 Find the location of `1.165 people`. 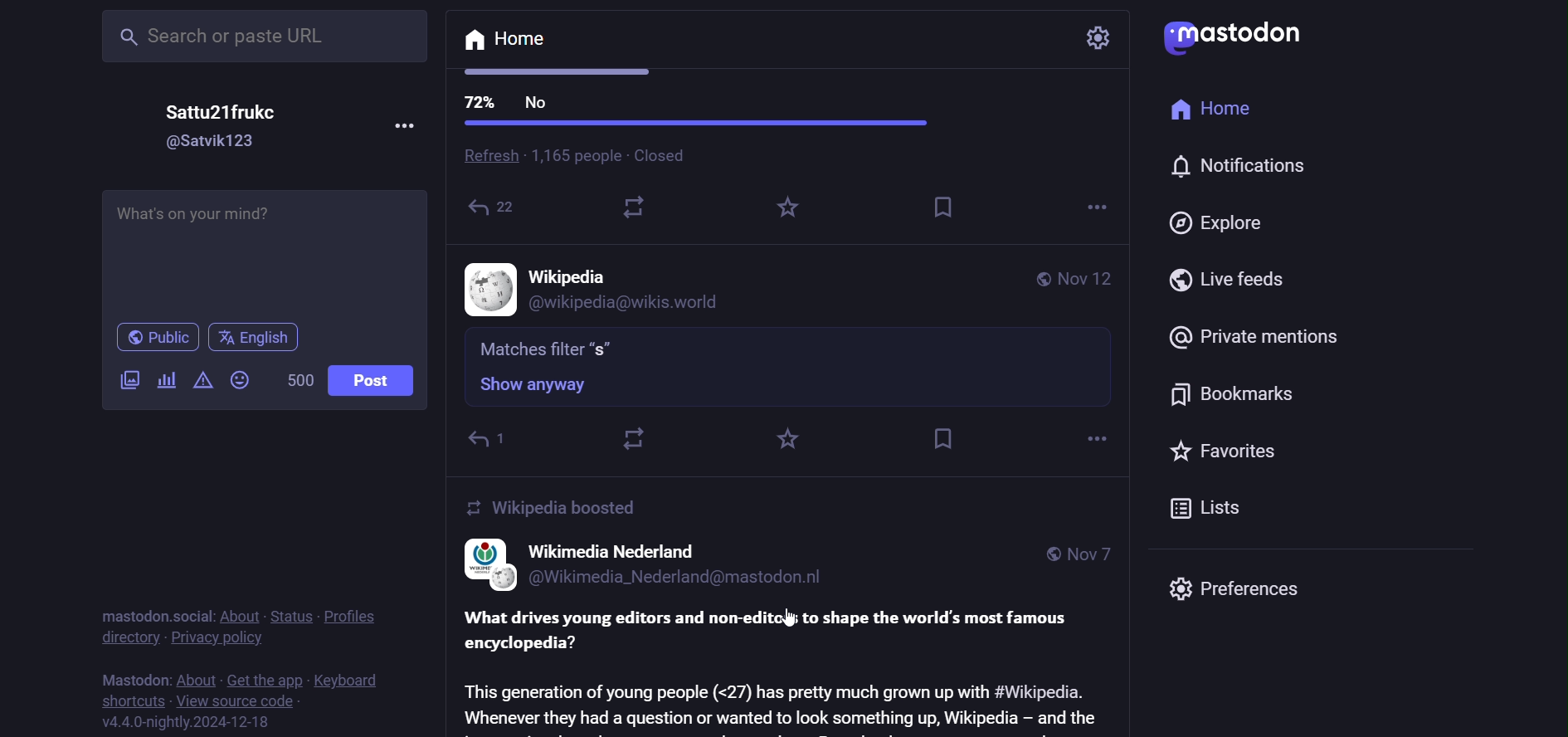

1.165 people is located at coordinates (575, 156).